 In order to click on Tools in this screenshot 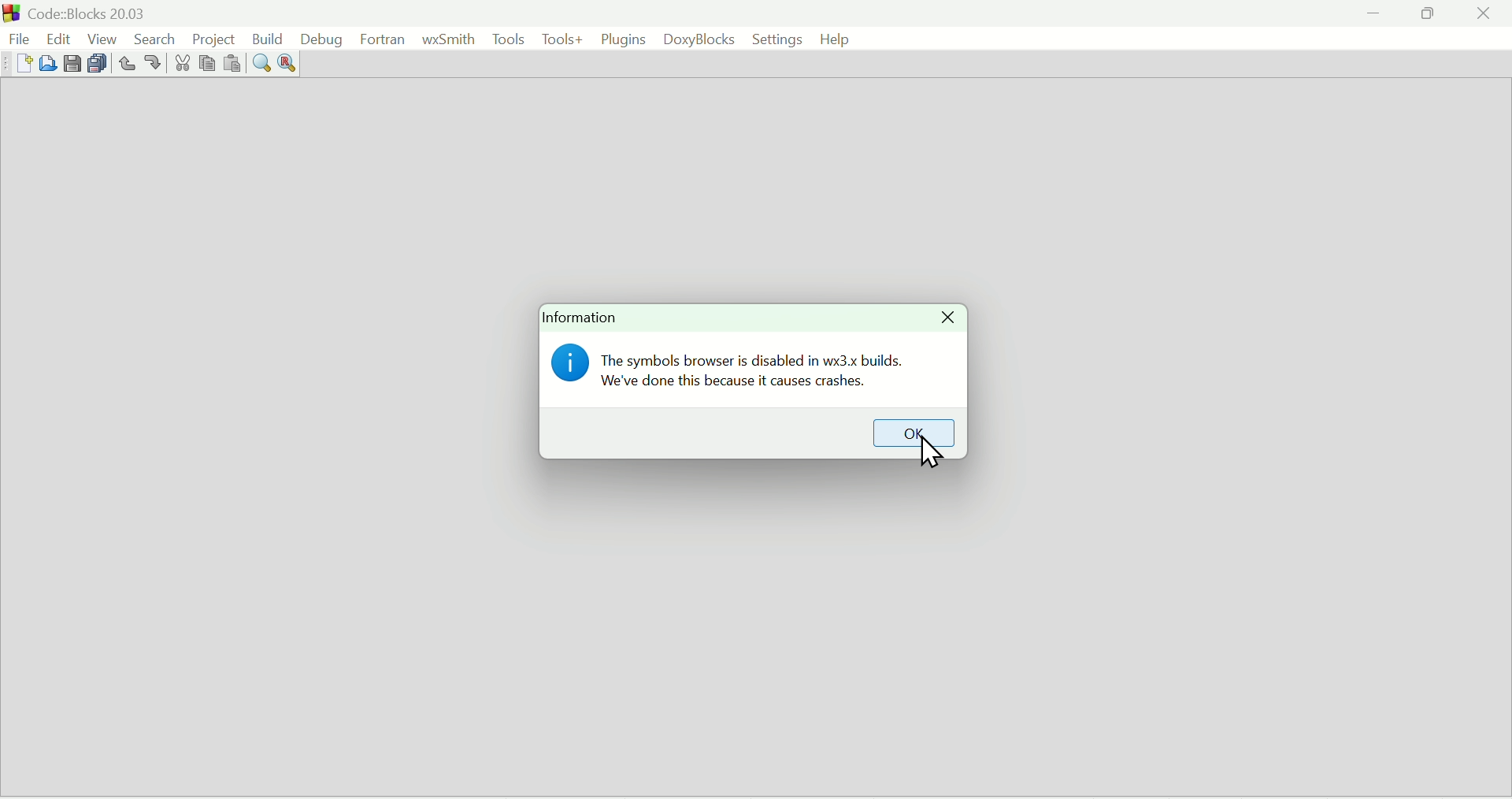, I will do `click(505, 38)`.